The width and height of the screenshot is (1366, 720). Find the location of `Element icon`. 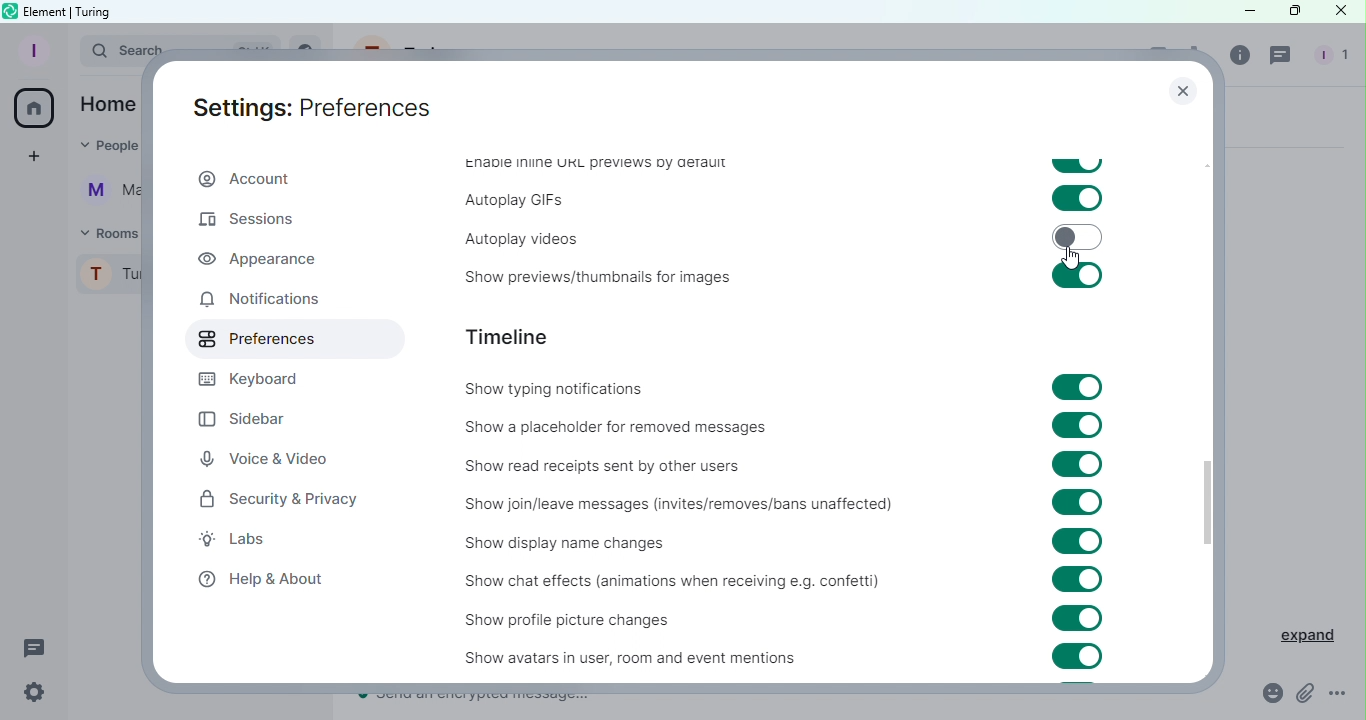

Element icon is located at coordinates (9, 11).